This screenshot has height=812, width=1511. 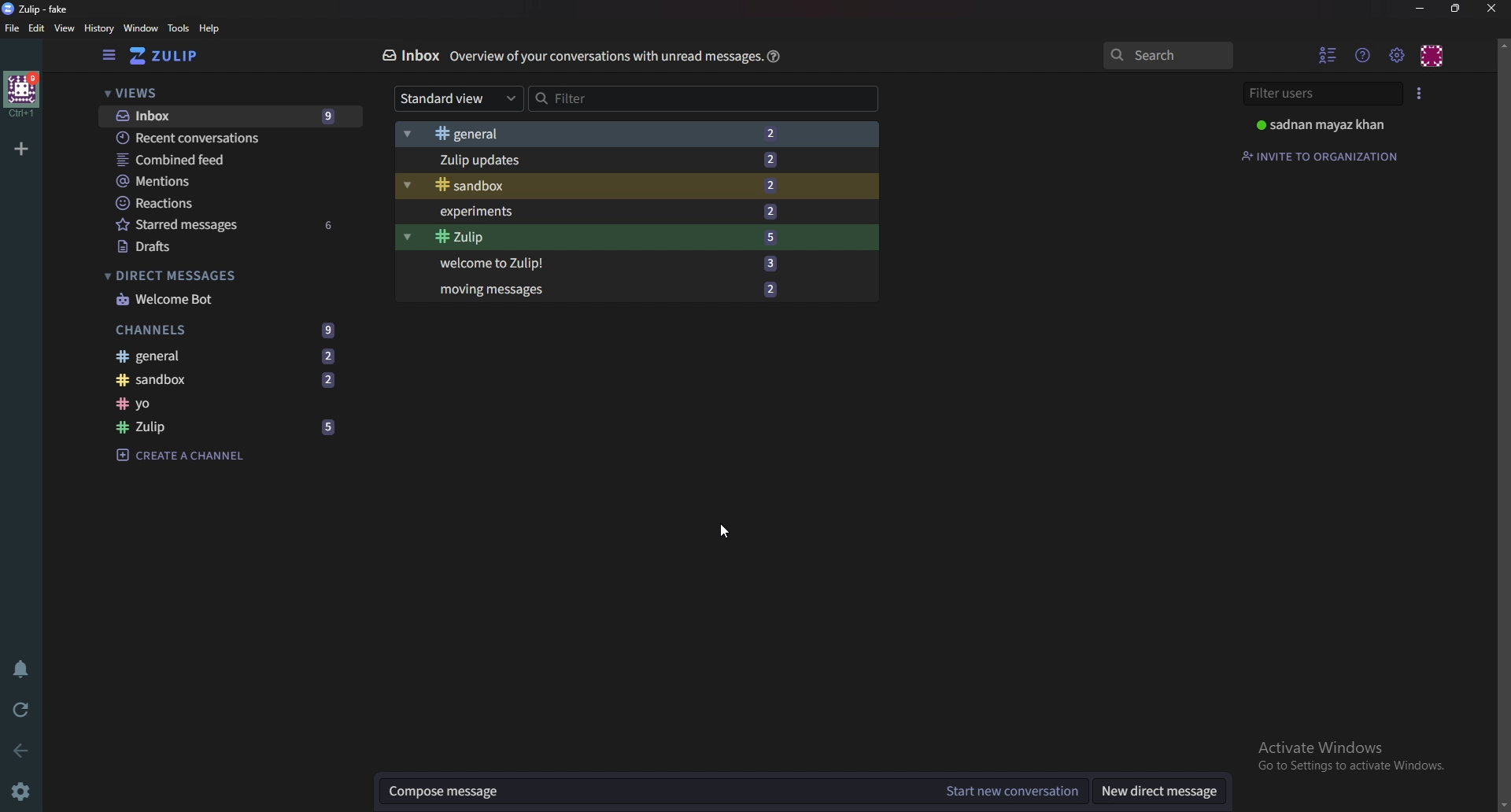 What do you see at coordinates (111, 55) in the screenshot?
I see `hide left sidebar` at bounding box center [111, 55].